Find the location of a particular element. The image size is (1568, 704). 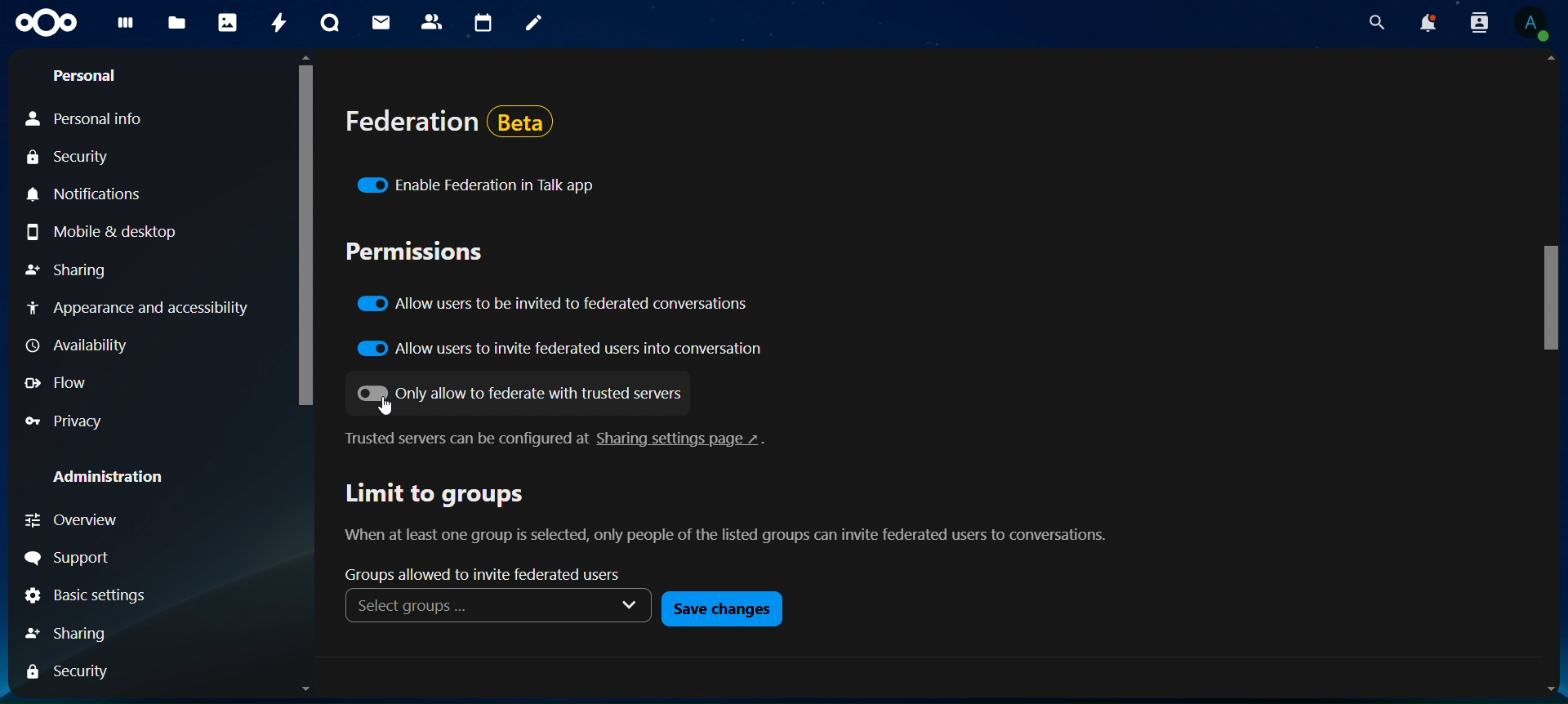

view profile is located at coordinates (1534, 25).